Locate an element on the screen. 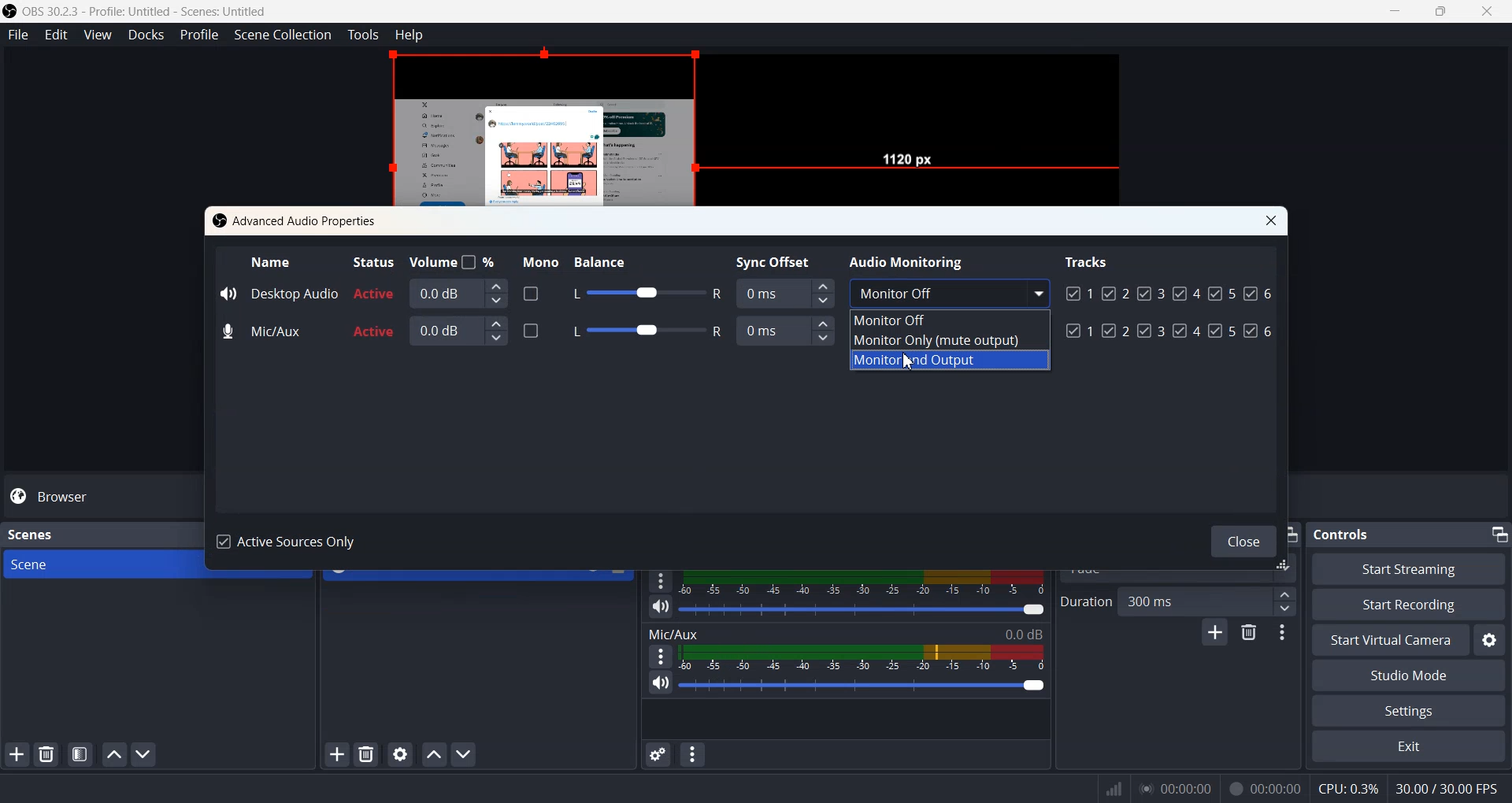 The height and width of the screenshot is (803, 1512). Audio mixer menu is located at coordinates (694, 754).